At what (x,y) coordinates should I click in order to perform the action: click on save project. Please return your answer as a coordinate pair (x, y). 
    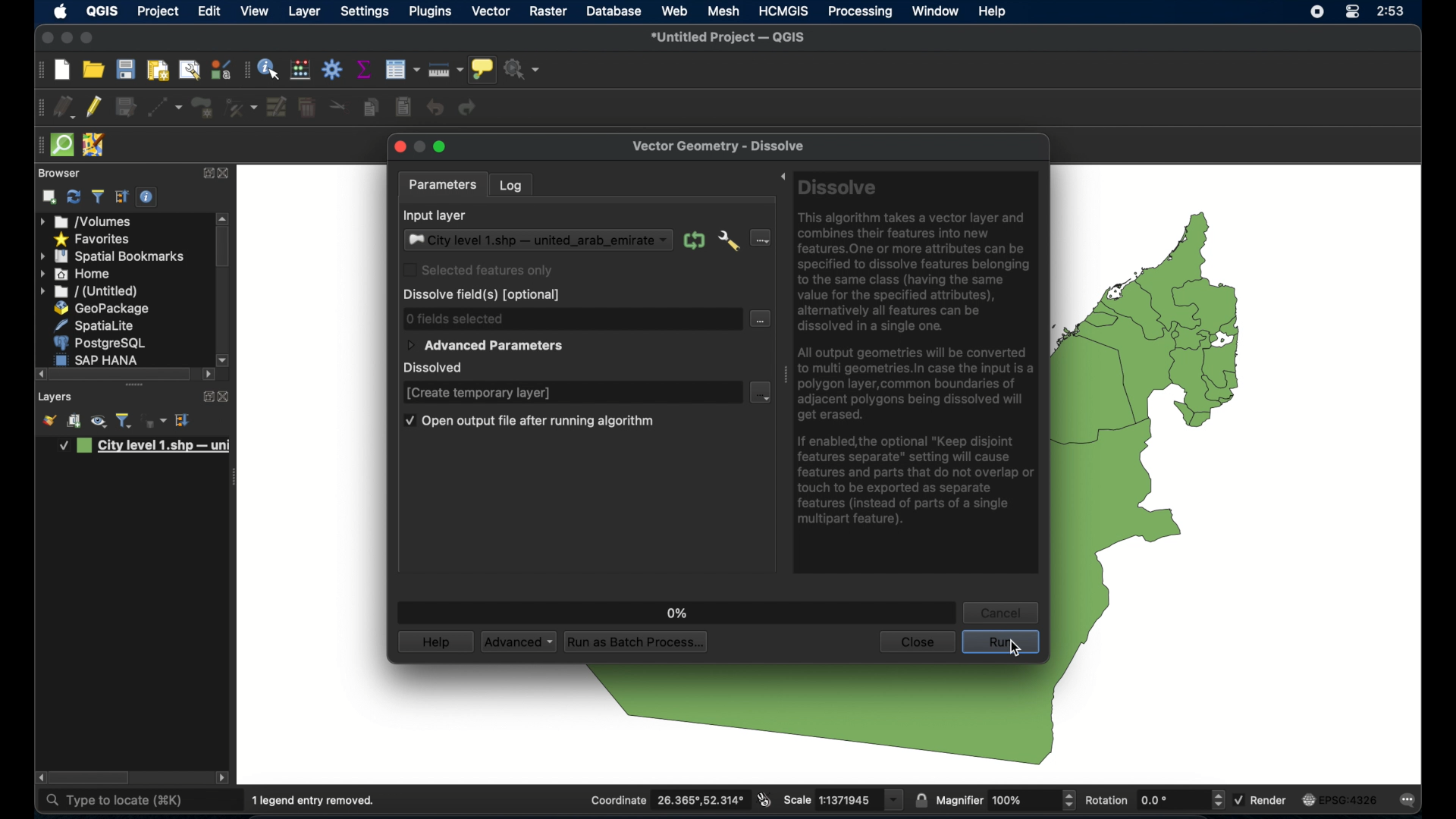
    Looking at the image, I should click on (127, 70).